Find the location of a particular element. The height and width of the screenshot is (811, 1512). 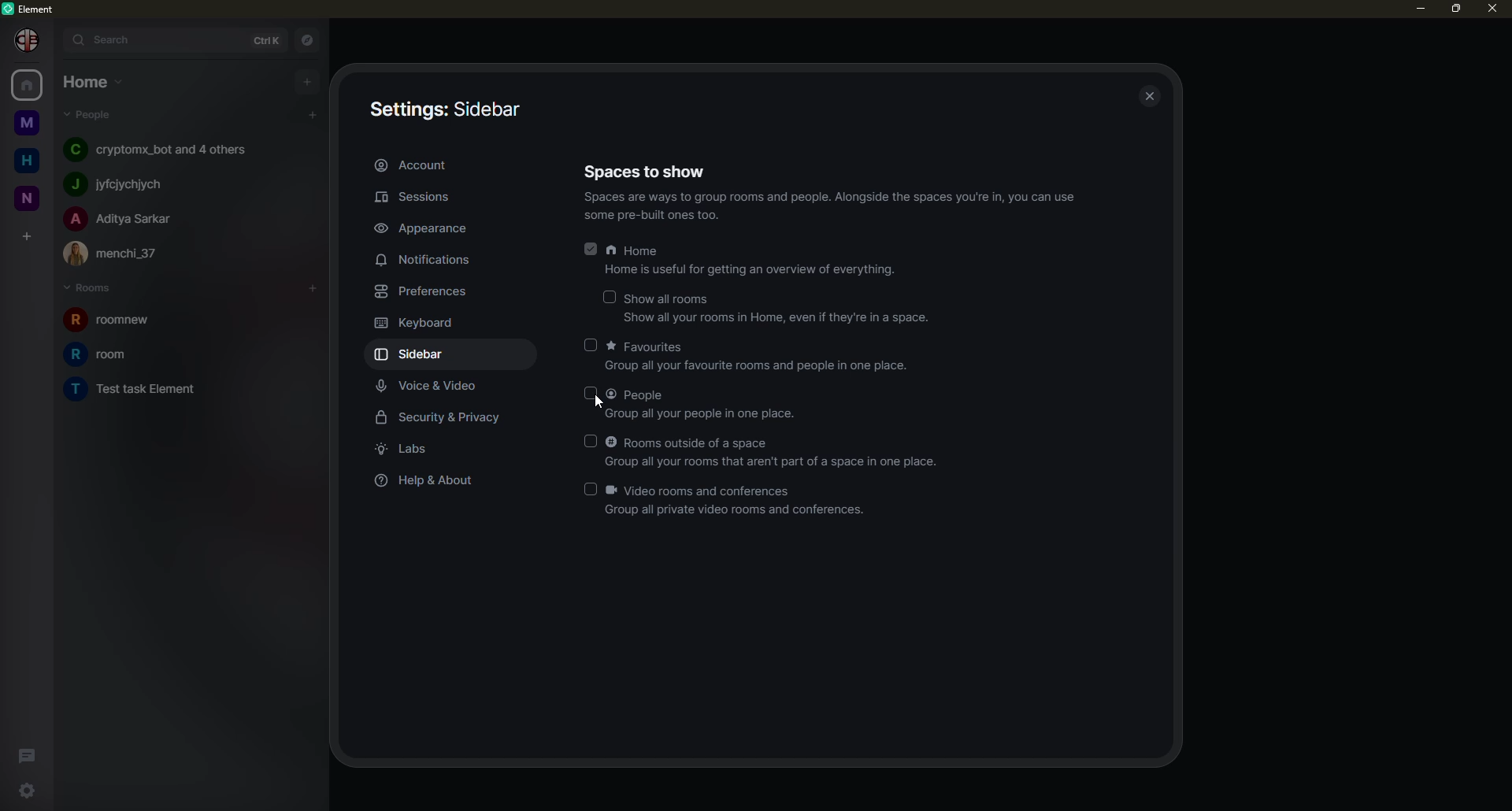

add is located at coordinates (312, 116).